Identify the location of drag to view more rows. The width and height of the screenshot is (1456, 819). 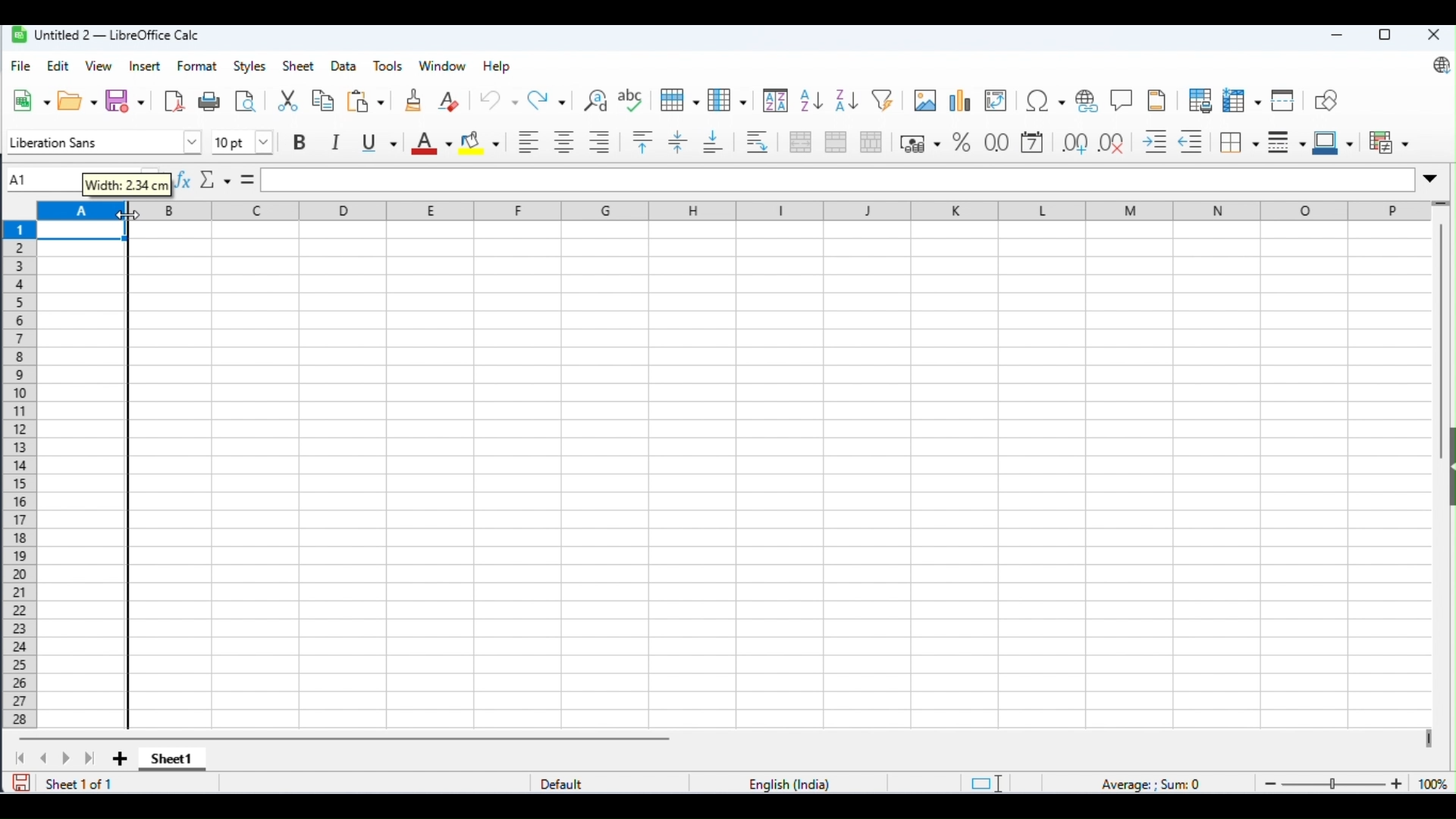
(1442, 204).